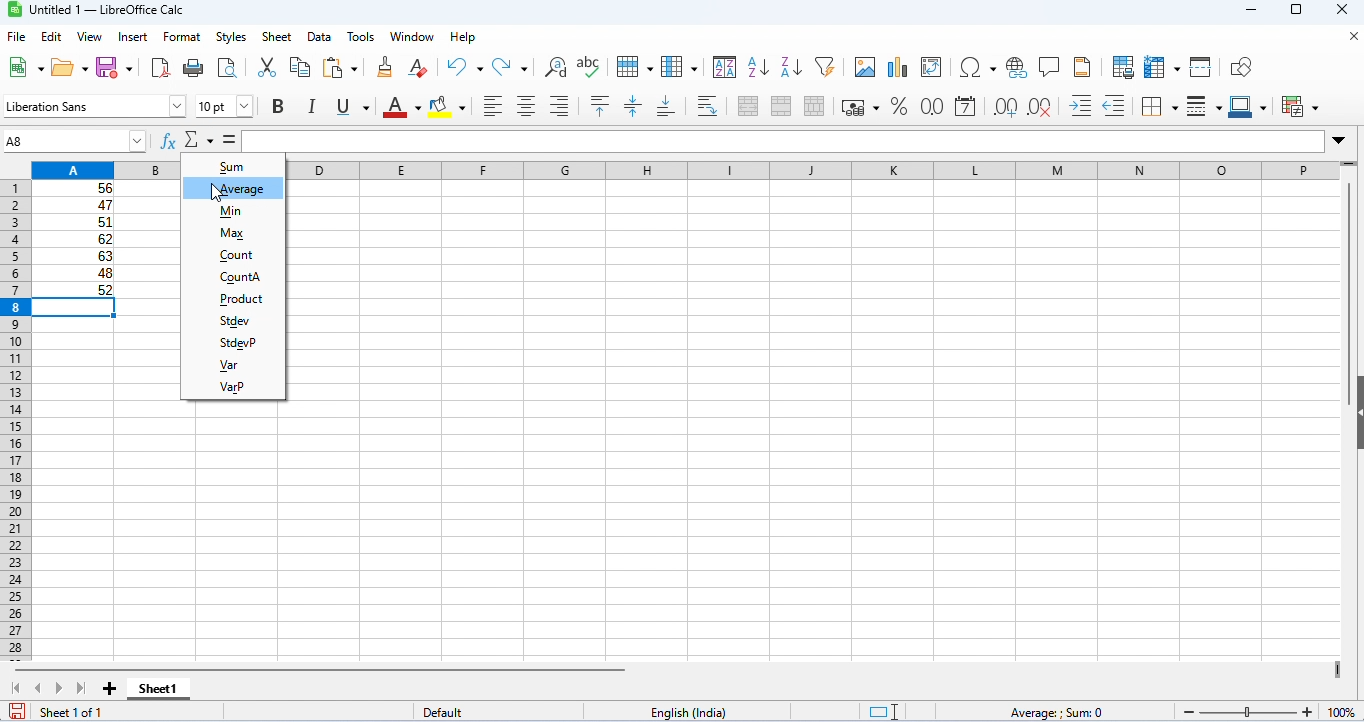 The image size is (1364, 722). Describe the element at coordinates (1055, 713) in the screenshot. I see `formula` at that location.